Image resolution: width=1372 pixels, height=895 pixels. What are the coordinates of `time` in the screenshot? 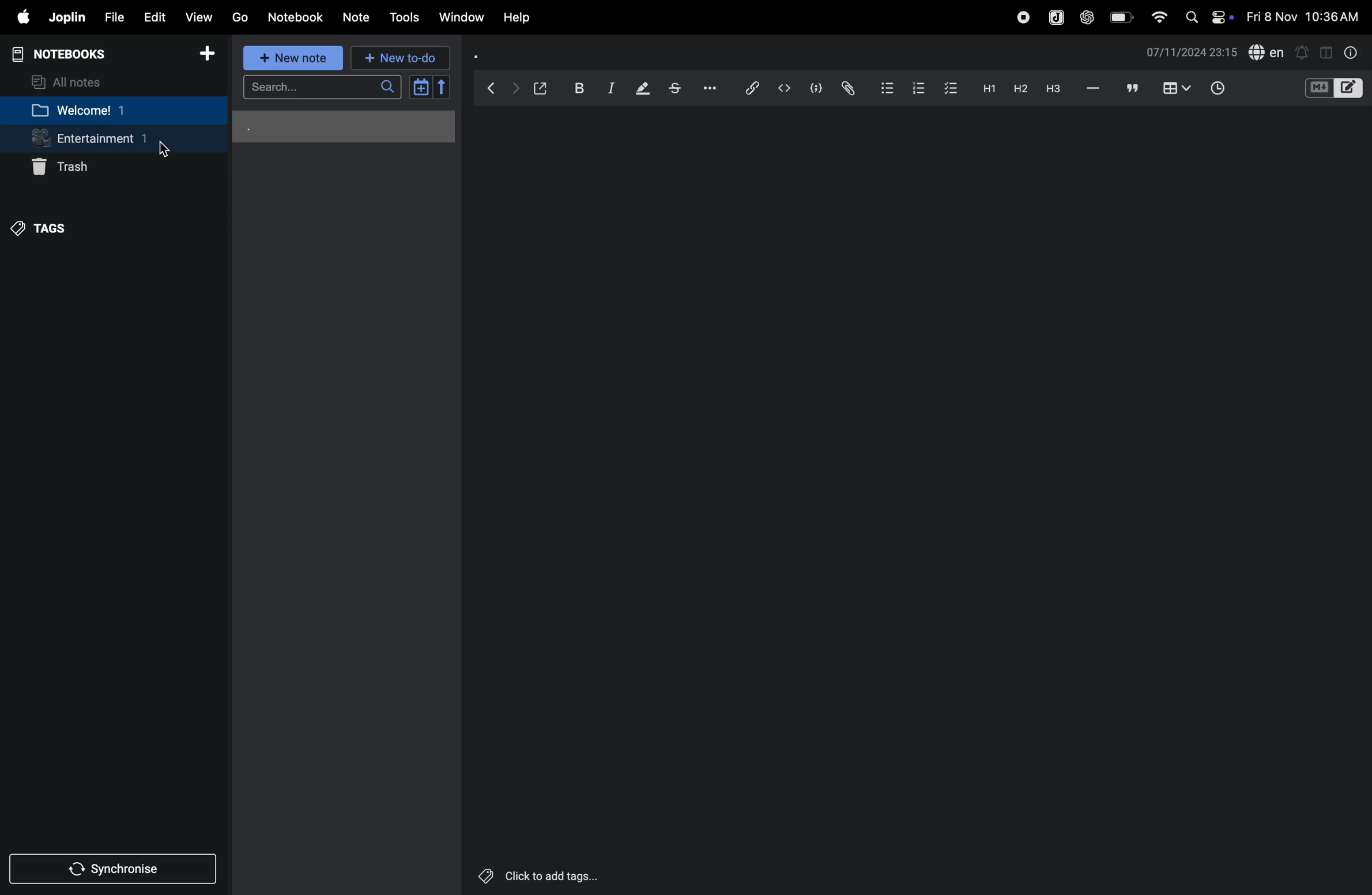 It's located at (1220, 88).